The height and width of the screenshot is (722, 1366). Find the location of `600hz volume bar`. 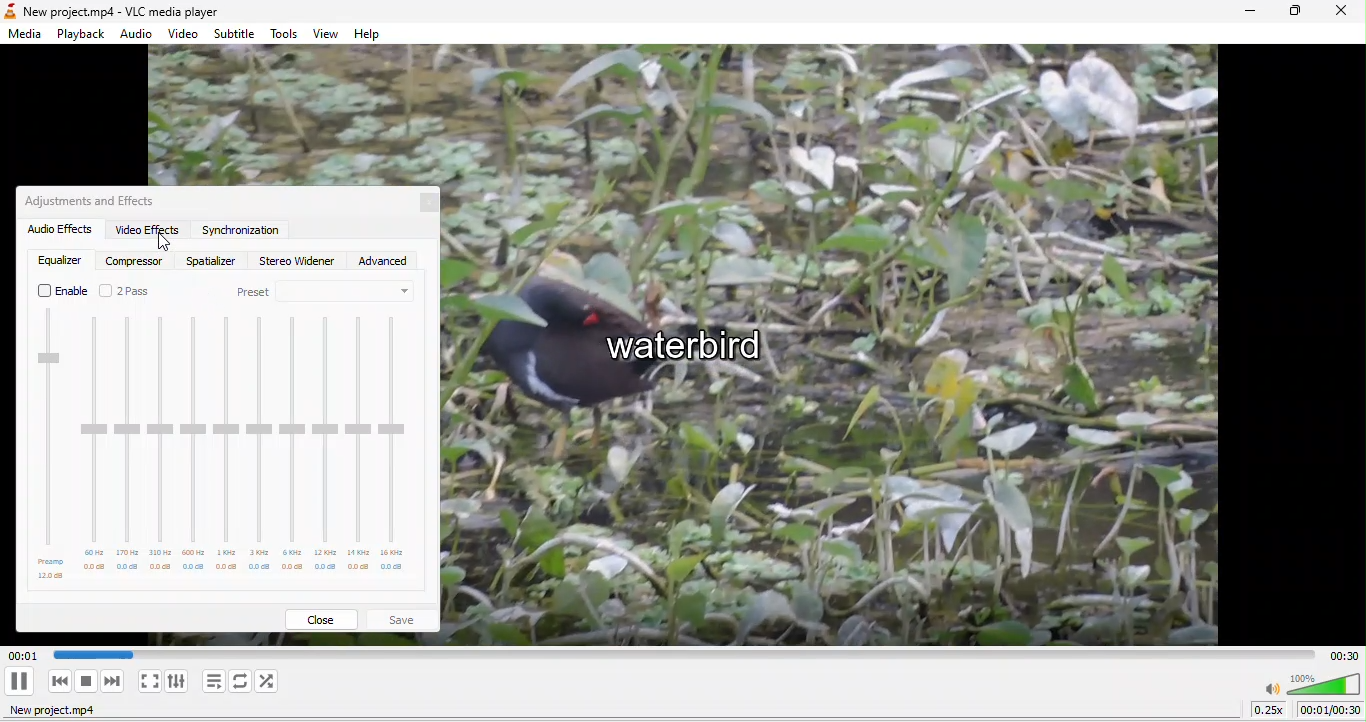

600hz volume bar is located at coordinates (194, 444).